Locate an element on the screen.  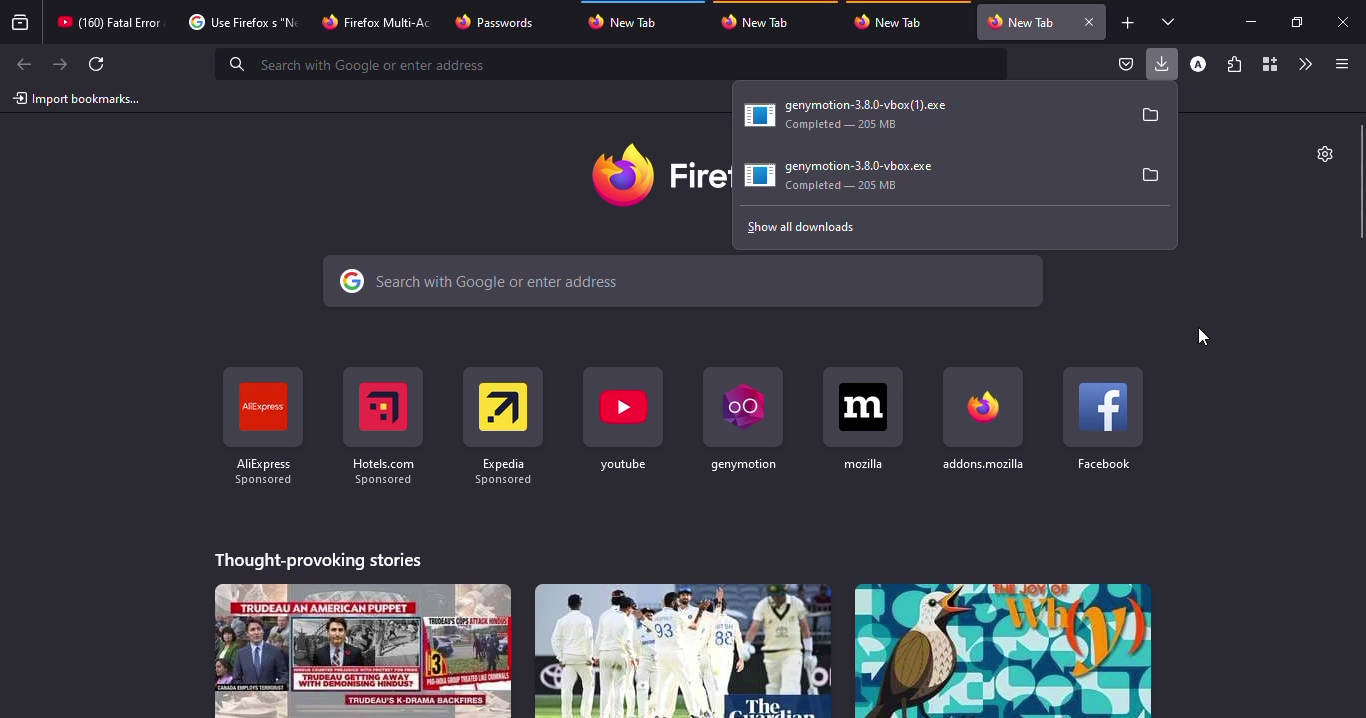
shortcut is located at coordinates (742, 418).